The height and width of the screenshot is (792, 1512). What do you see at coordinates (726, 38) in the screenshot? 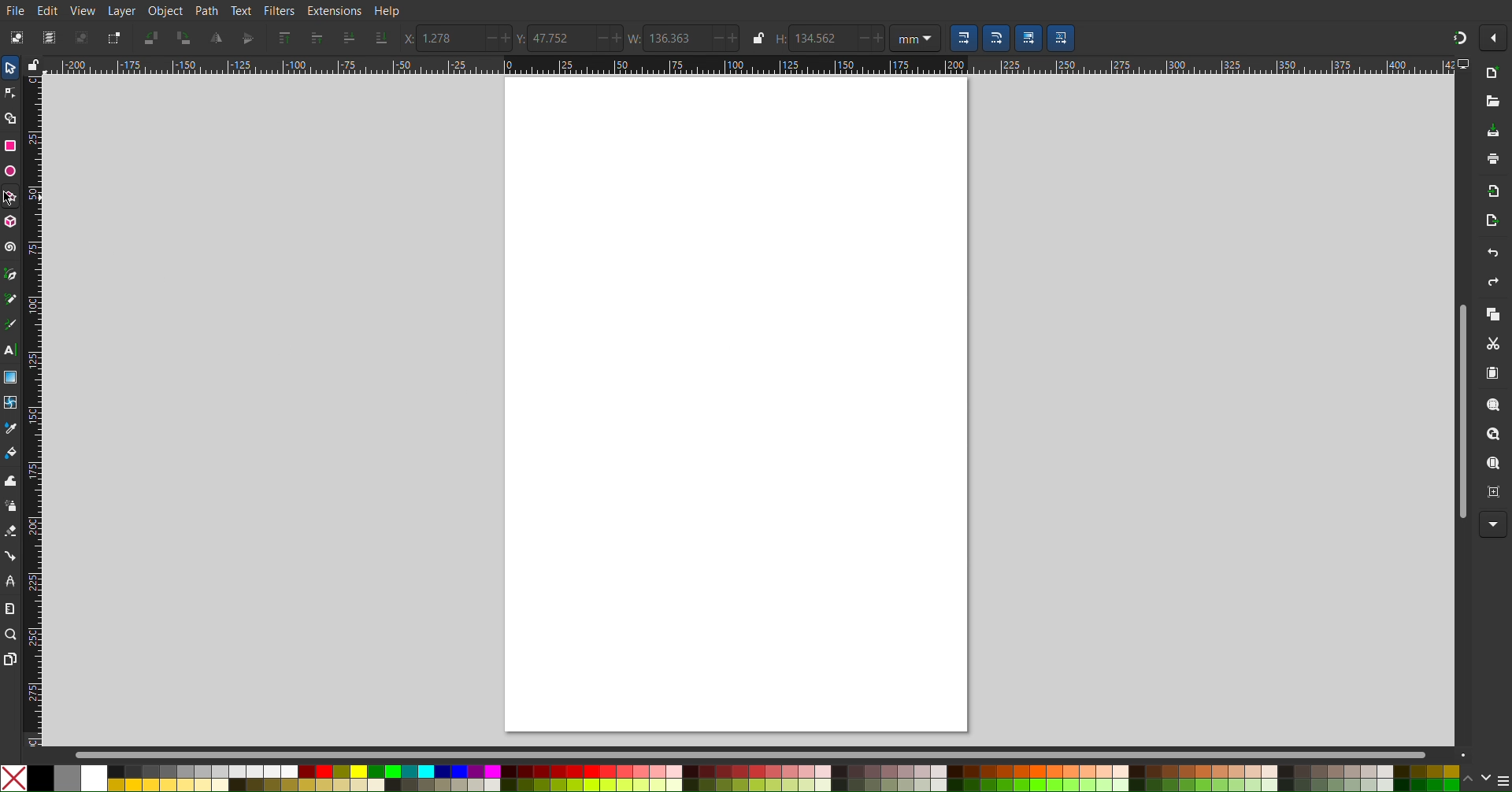
I see `increase/decrease` at bounding box center [726, 38].